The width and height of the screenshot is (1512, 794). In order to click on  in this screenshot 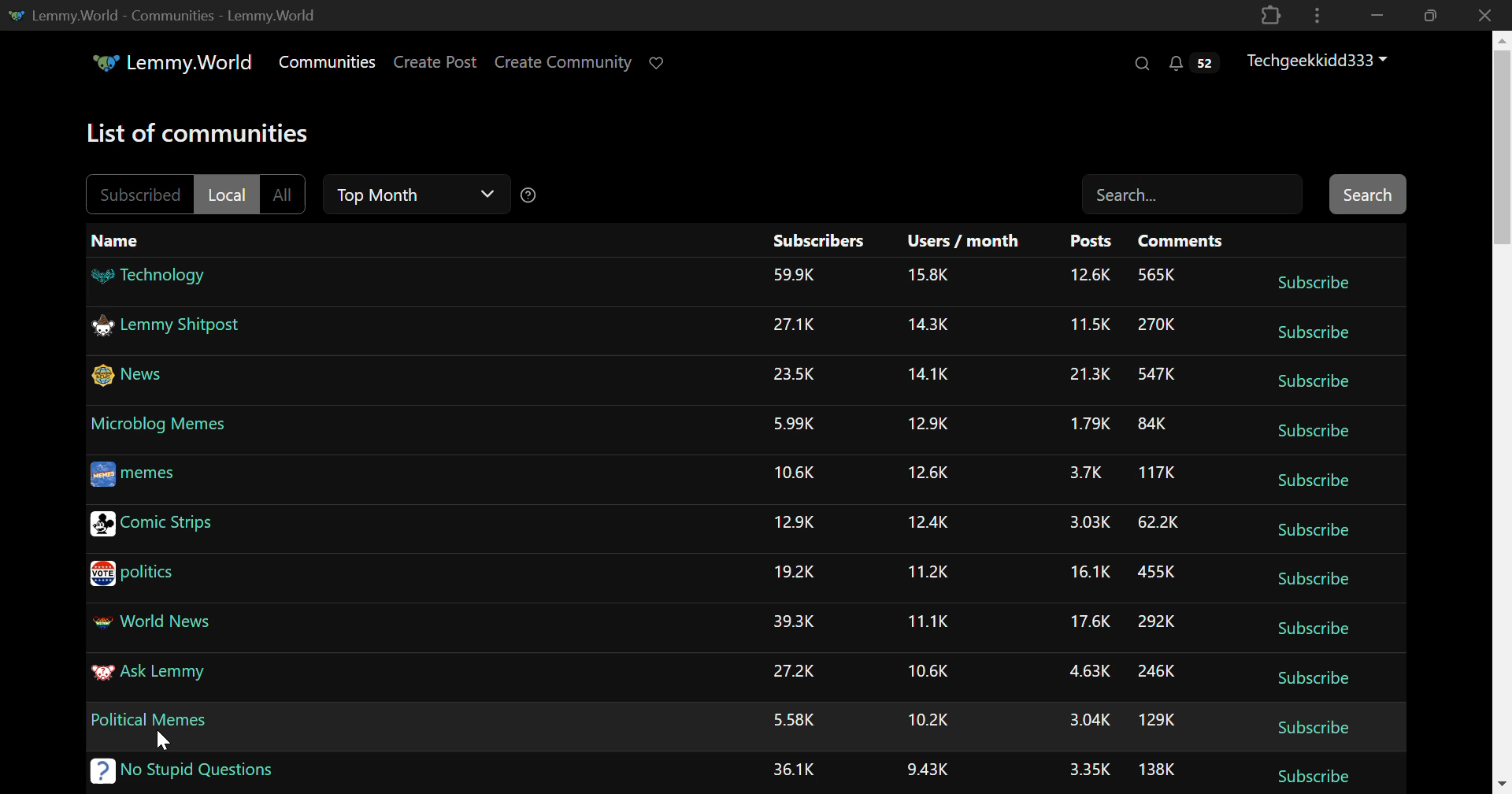, I will do `click(1091, 576)`.